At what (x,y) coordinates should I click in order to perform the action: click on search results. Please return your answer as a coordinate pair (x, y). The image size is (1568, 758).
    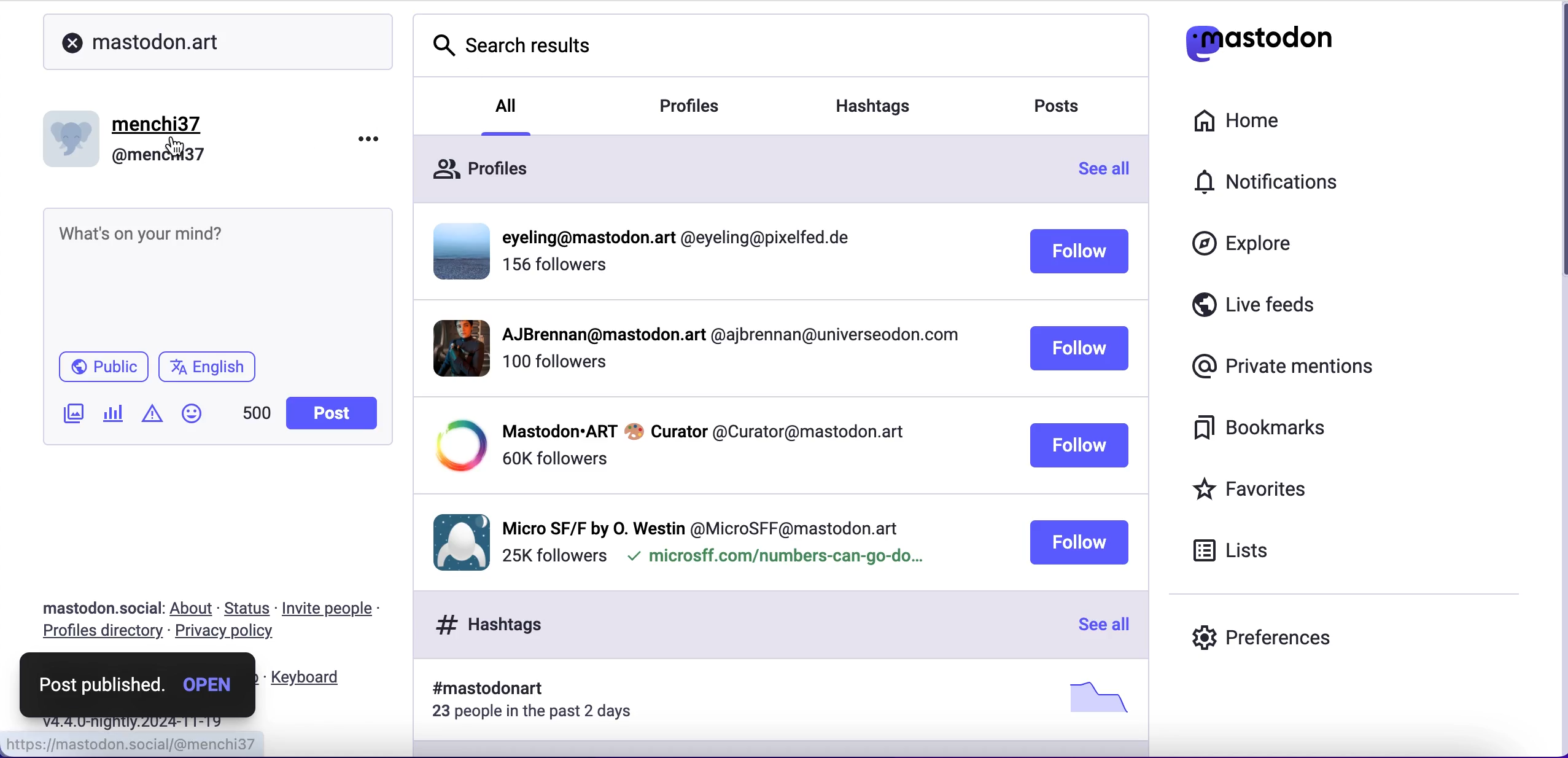
    Looking at the image, I should click on (521, 47).